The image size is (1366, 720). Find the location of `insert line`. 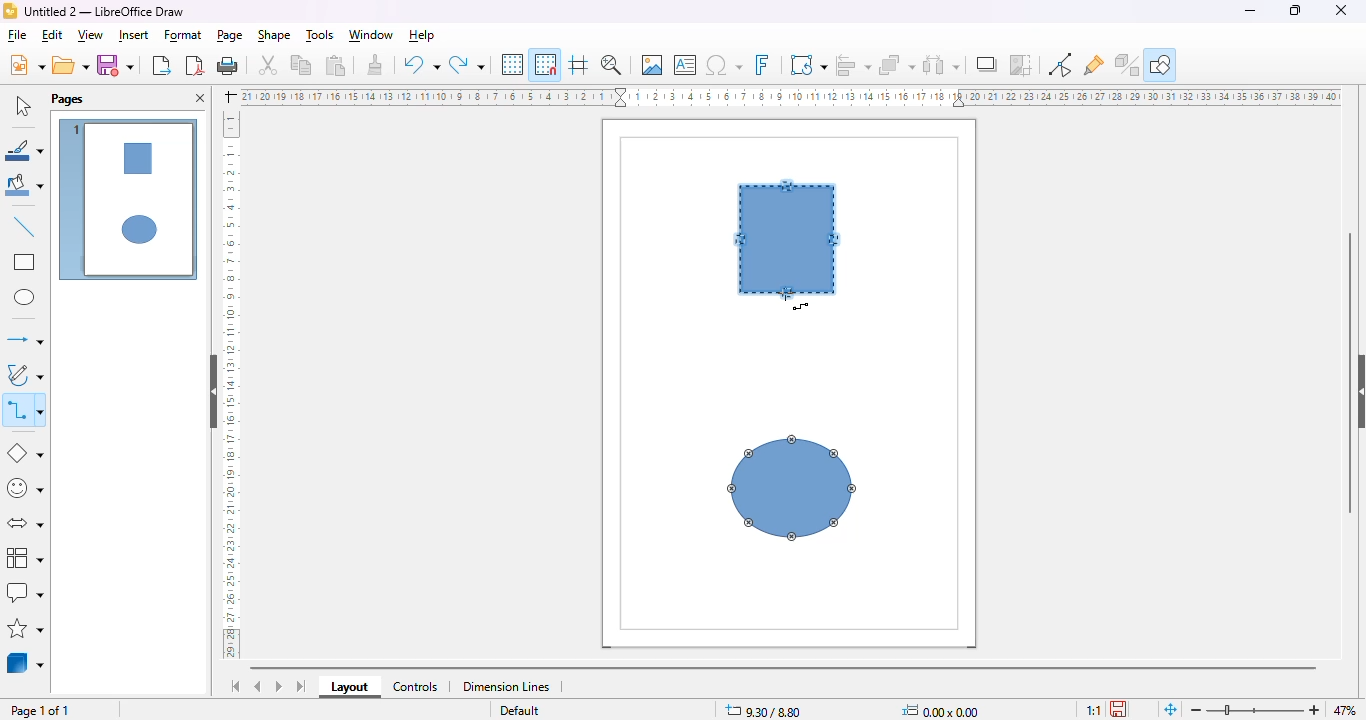

insert line is located at coordinates (25, 226).